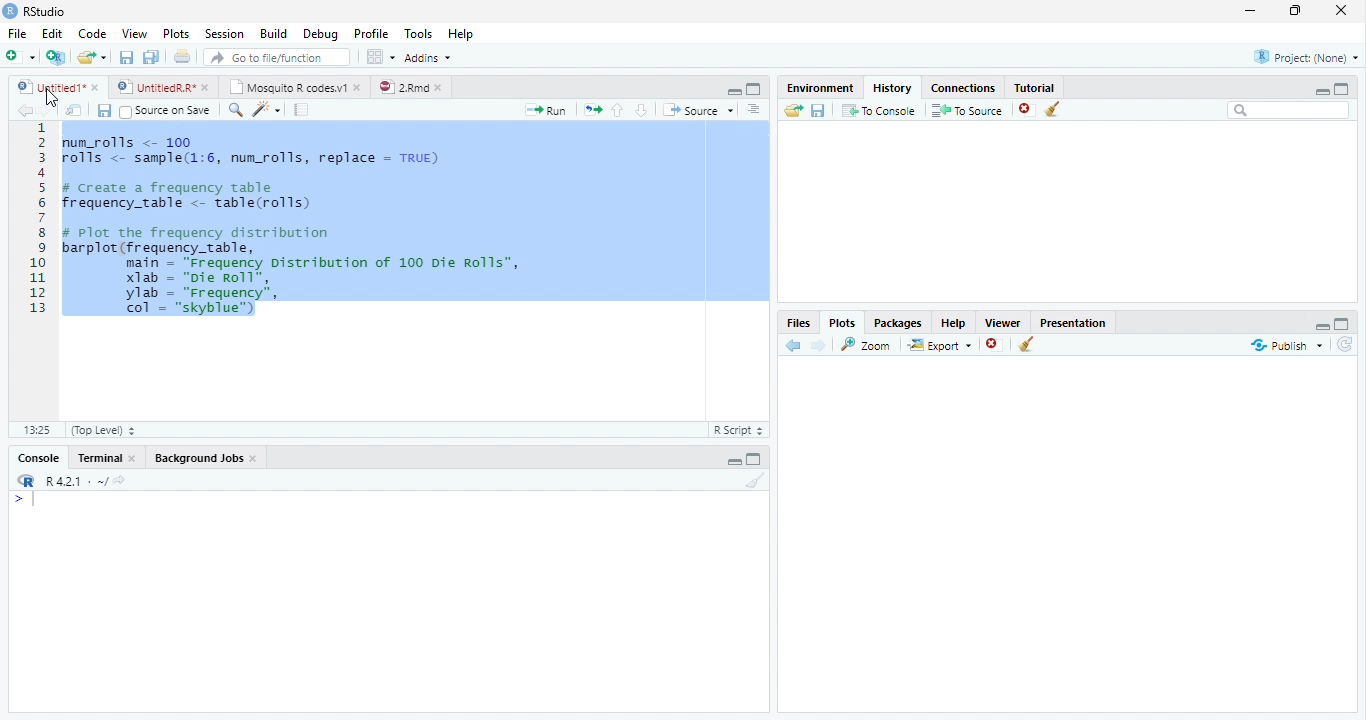 This screenshot has height=720, width=1366. What do you see at coordinates (94, 31) in the screenshot?
I see `Code` at bounding box center [94, 31].